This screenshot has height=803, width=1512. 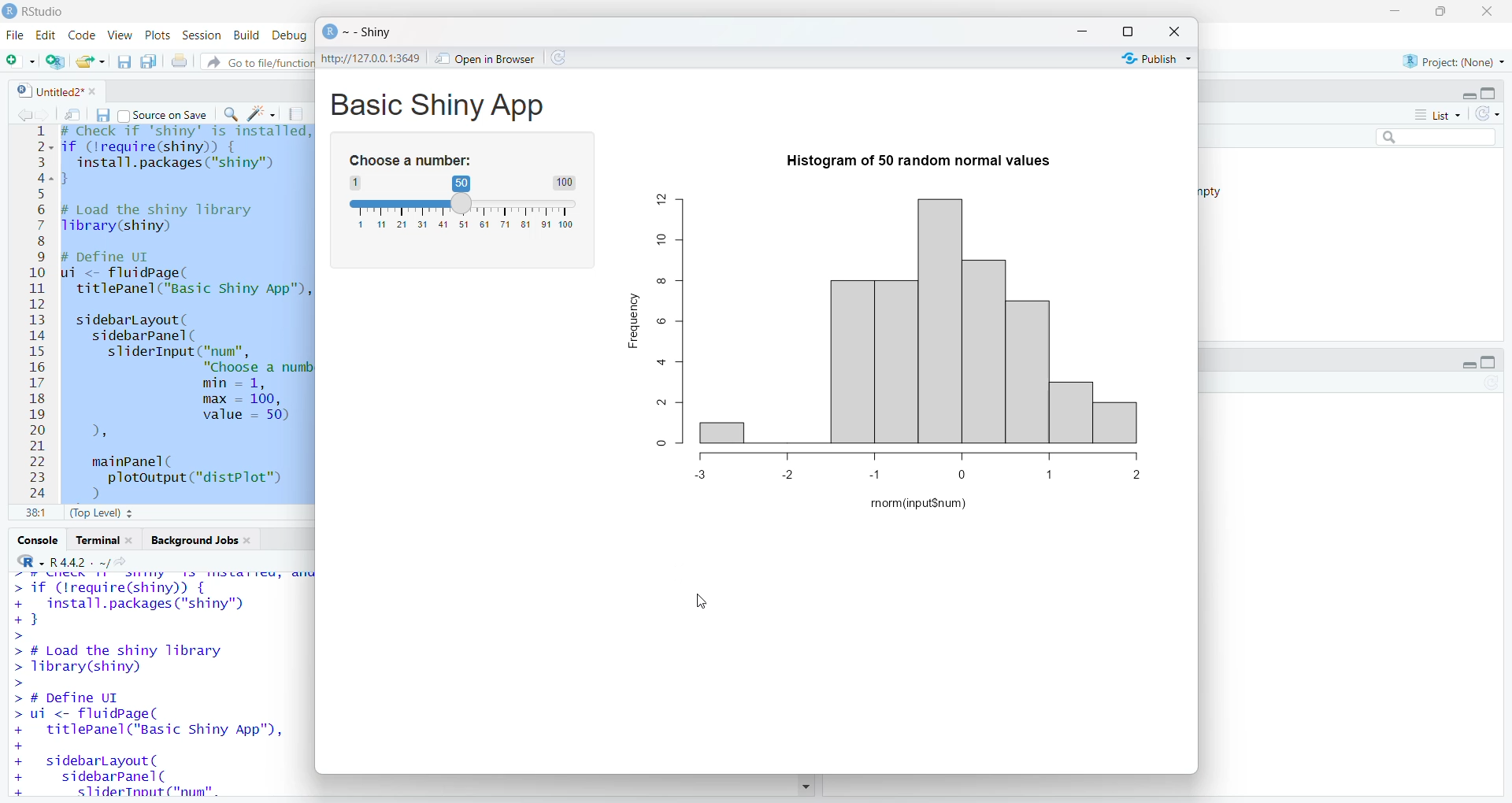 I want to click on close, so click(x=250, y=540).